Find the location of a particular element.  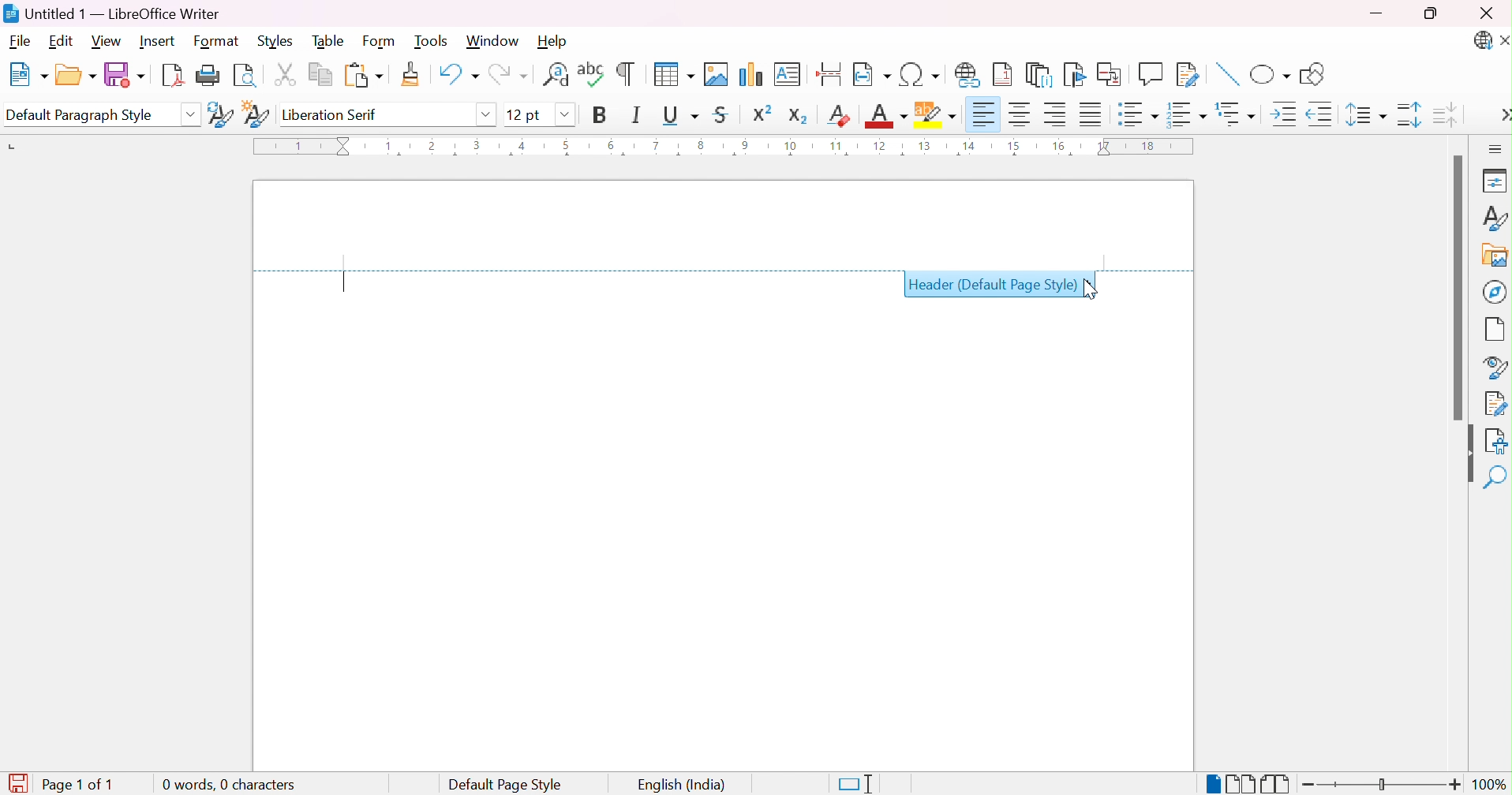

Insert endnote is located at coordinates (1041, 75).